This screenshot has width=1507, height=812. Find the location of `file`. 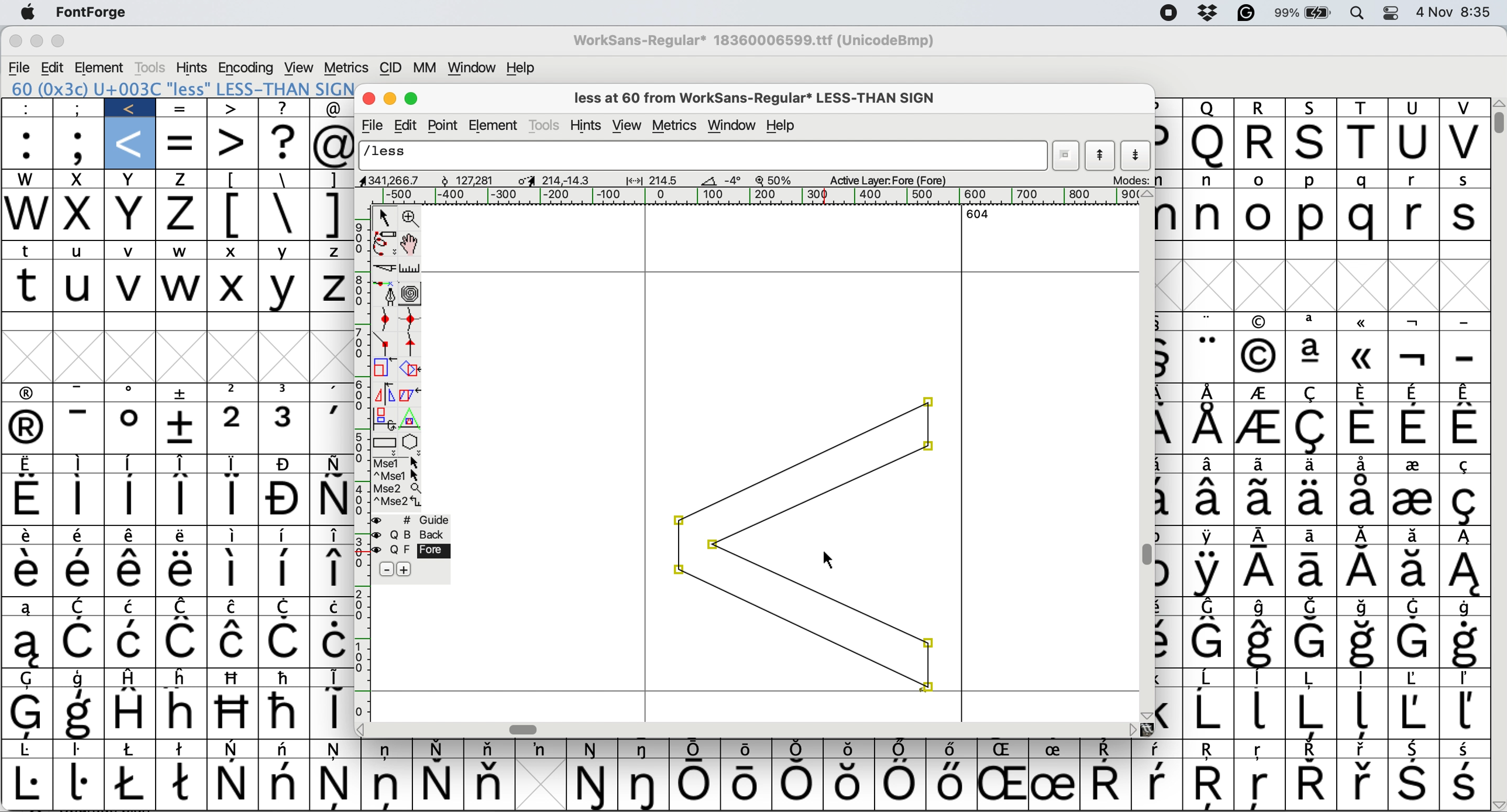

file is located at coordinates (374, 124).